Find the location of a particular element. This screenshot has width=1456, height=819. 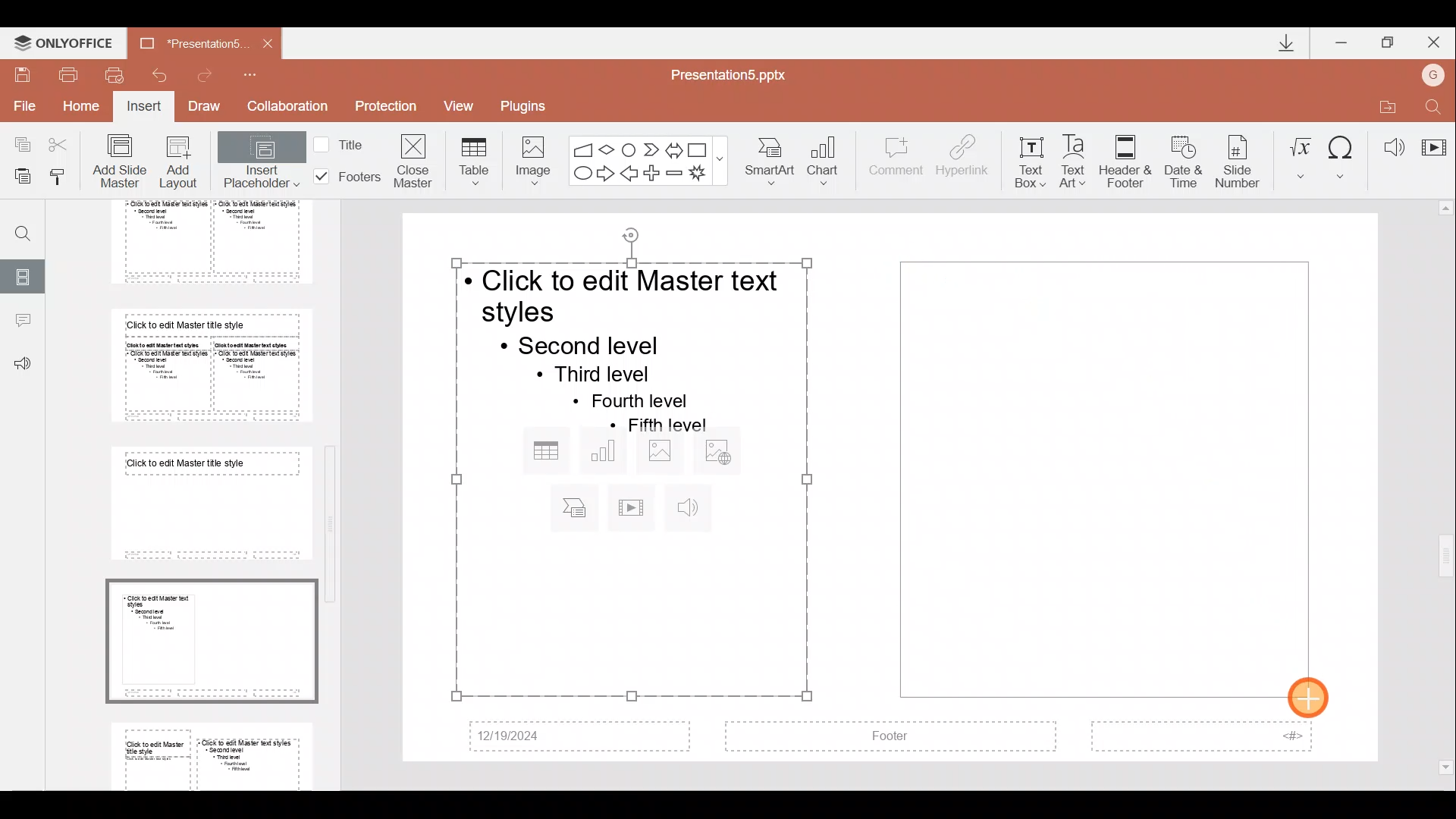

Draw is located at coordinates (209, 108).